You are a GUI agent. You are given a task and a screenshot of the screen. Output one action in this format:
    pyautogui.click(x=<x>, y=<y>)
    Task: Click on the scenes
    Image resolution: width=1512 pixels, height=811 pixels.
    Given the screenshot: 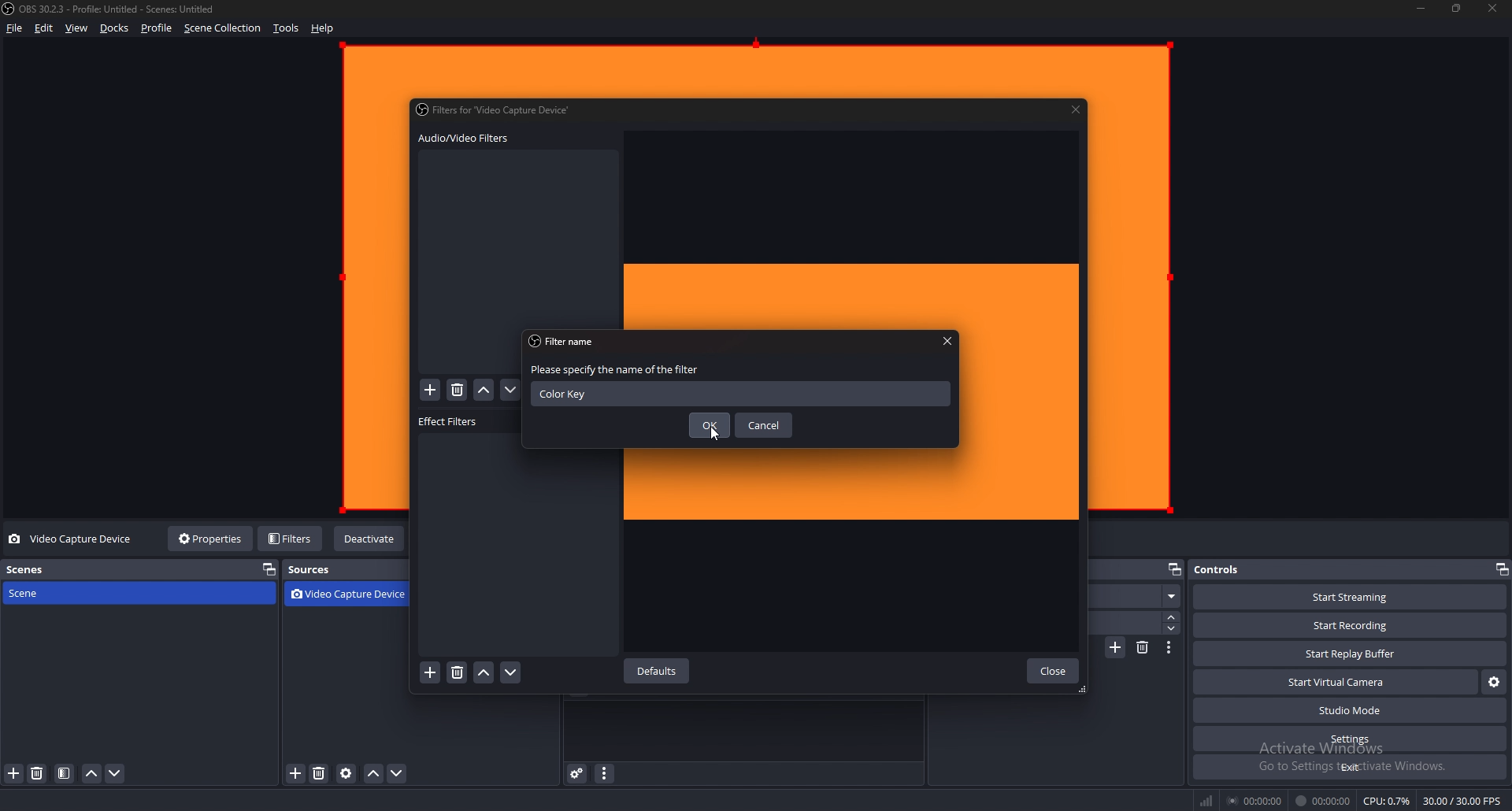 What is the action you would take?
    pyautogui.click(x=78, y=569)
    